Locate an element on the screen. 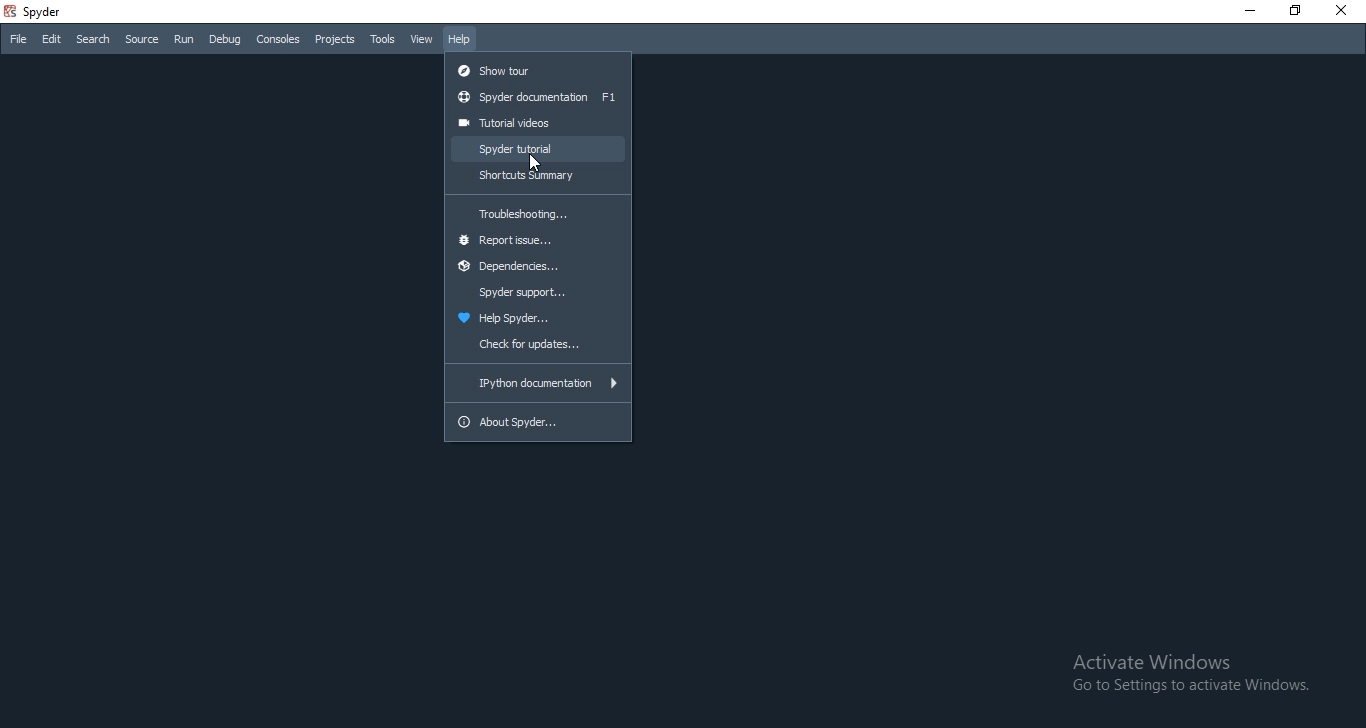 The image size is (1366, 728). dependencies is located at coordinates (536, 269).